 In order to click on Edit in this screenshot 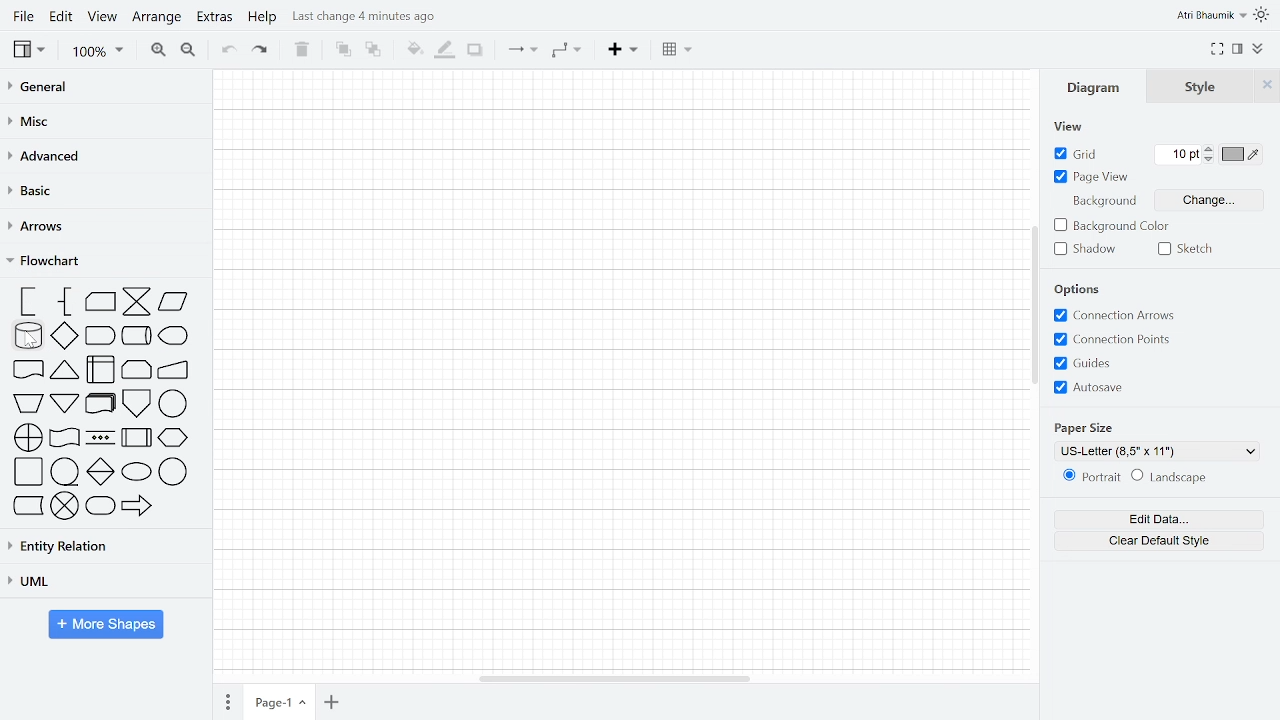, I will do `click(62, 19)`.